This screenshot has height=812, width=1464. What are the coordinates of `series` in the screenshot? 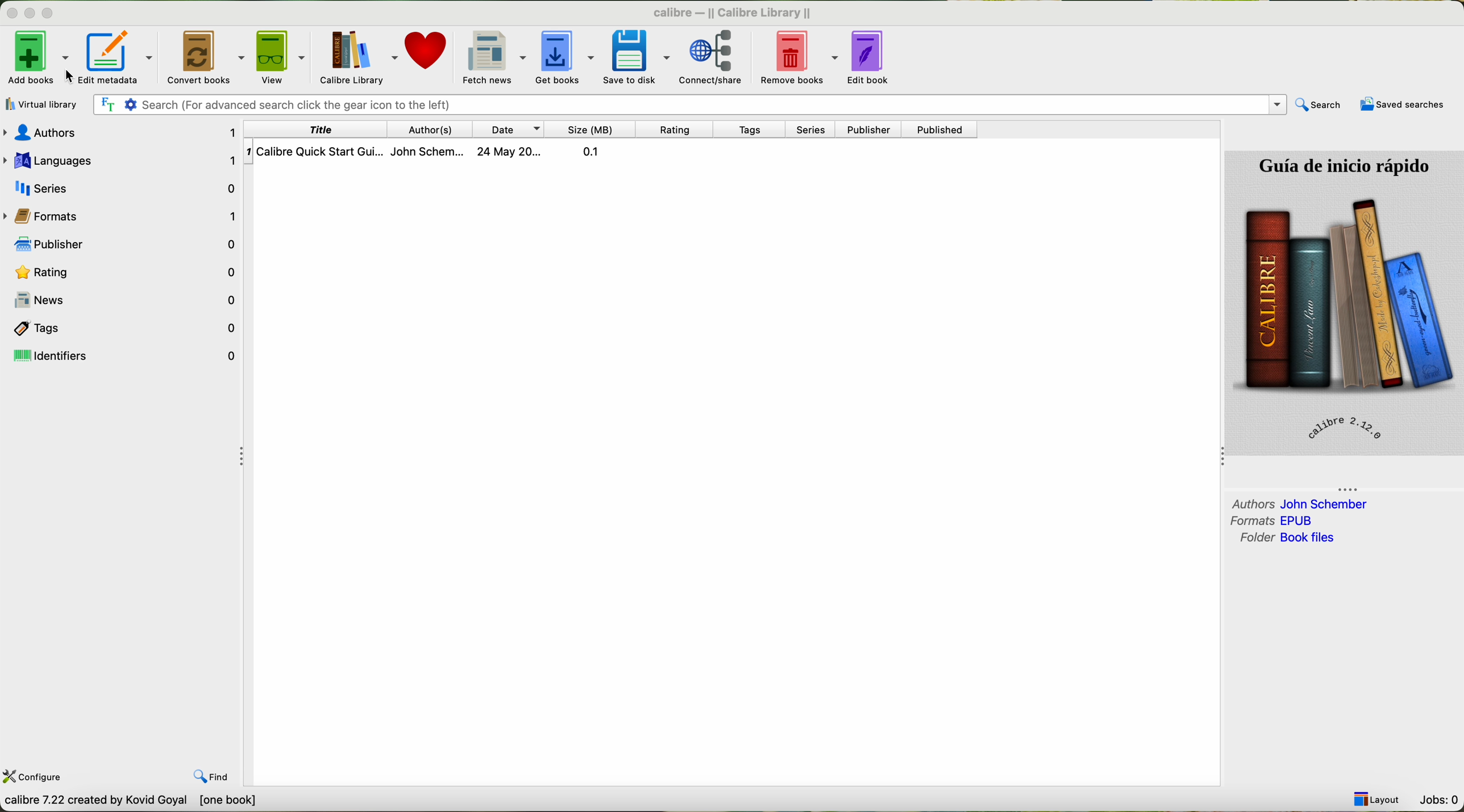 It's located at (813, 130).